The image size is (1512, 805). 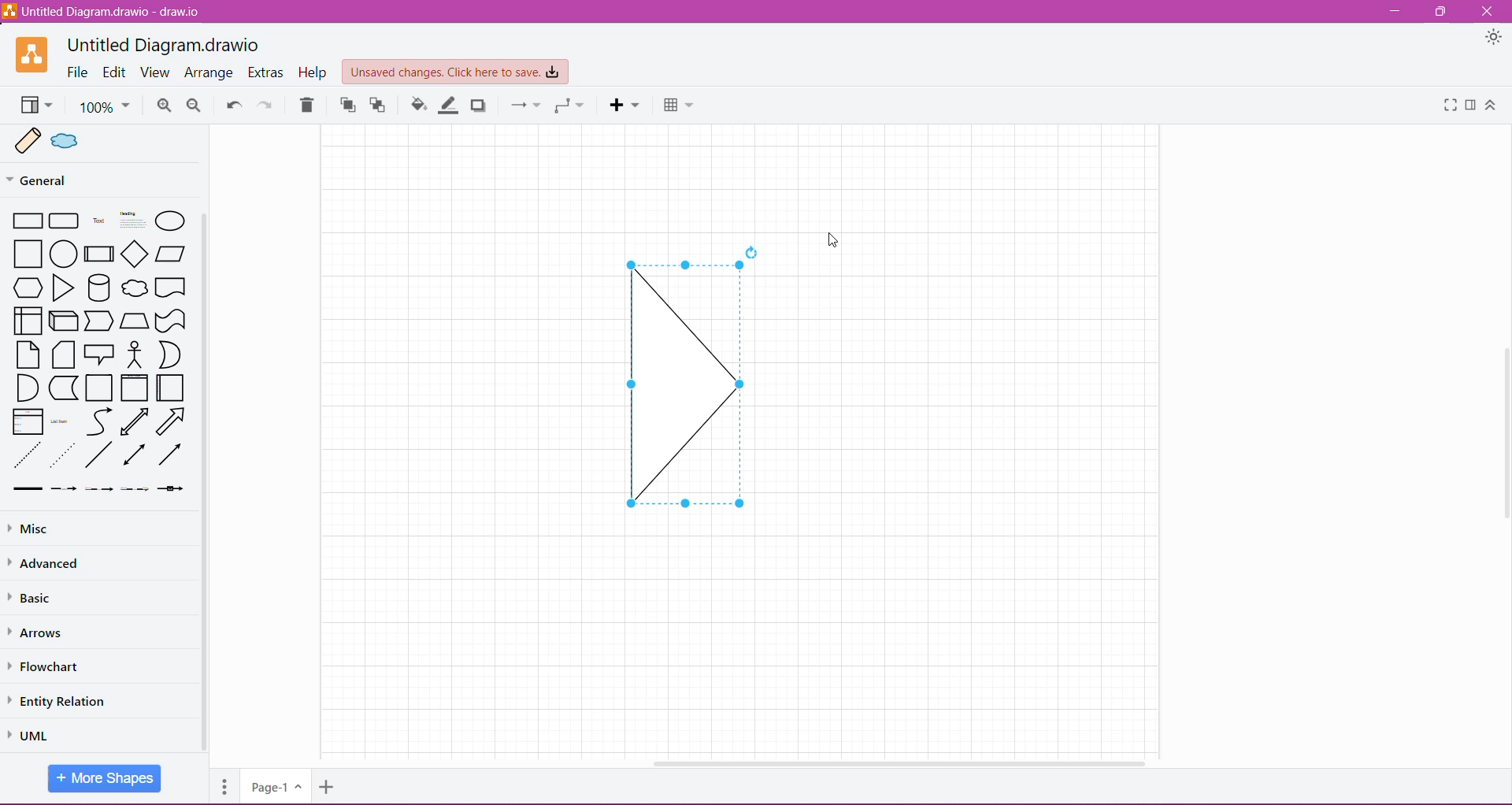 I want to click on Unsaved Changes. Click here to save, so click(x=454, y=72).